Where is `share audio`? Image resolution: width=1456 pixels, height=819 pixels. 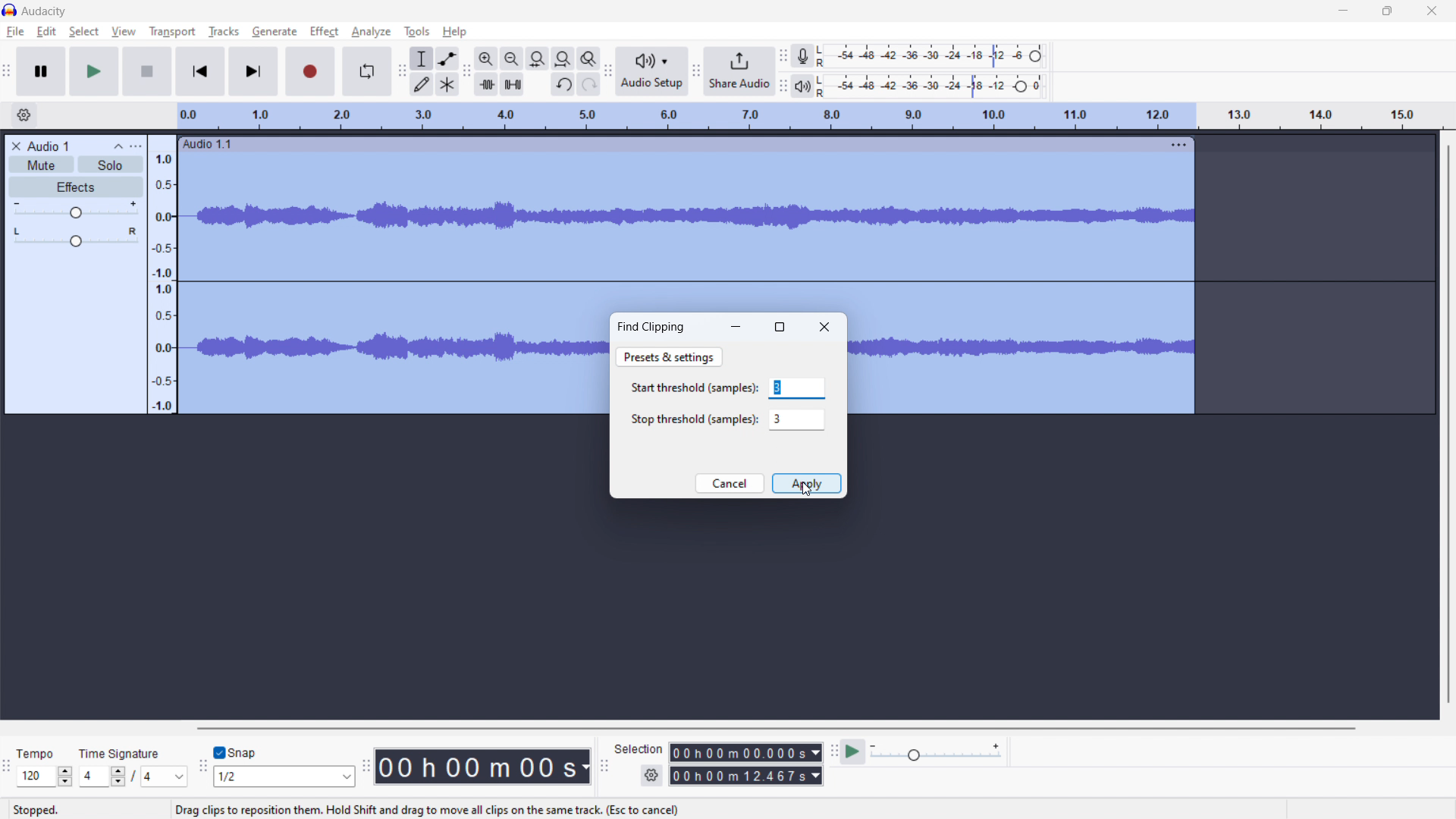
share audio is located at coordinates (739, 71).